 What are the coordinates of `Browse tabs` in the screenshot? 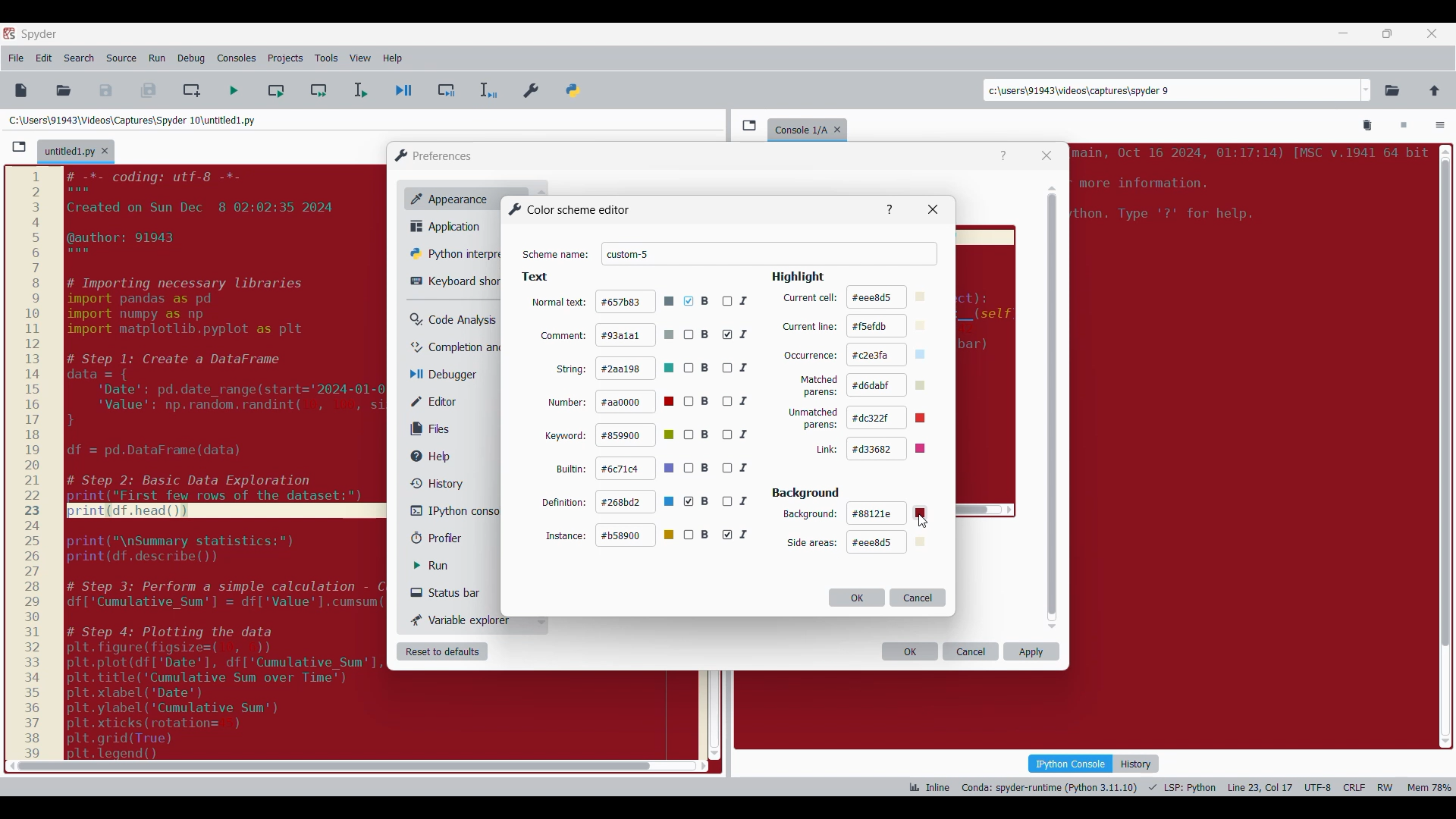 It's located at (19, 147).